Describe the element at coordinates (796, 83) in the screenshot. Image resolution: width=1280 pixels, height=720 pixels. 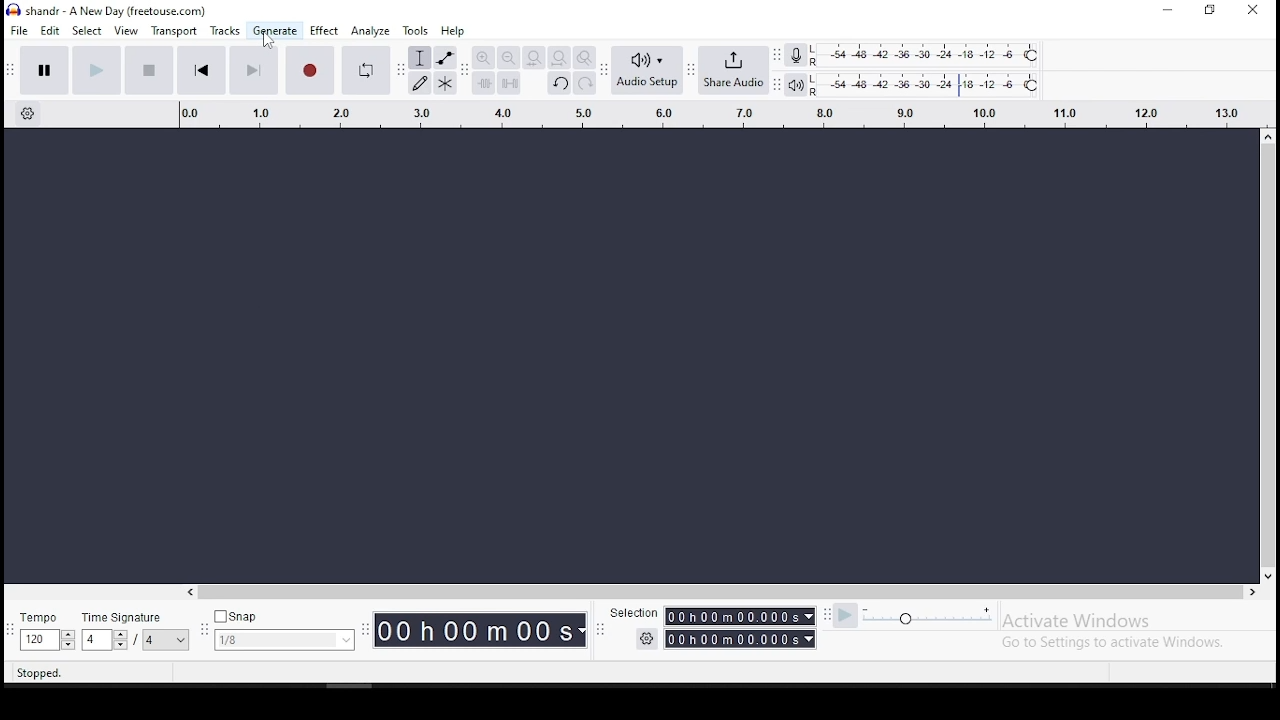
I see `playback meter` at that location.